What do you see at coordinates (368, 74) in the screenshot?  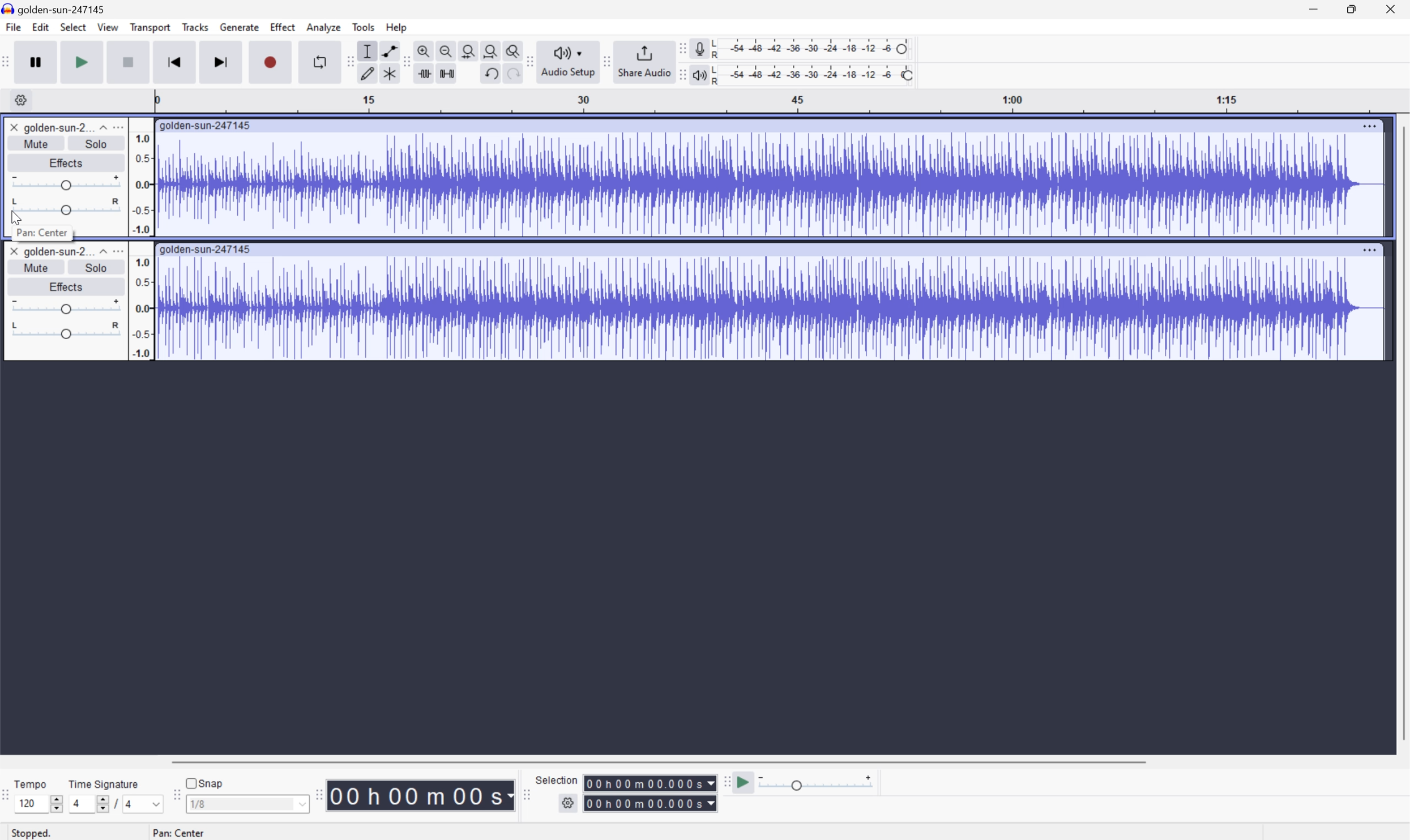 I see `Draw tool` at bounding box center [368, 74].